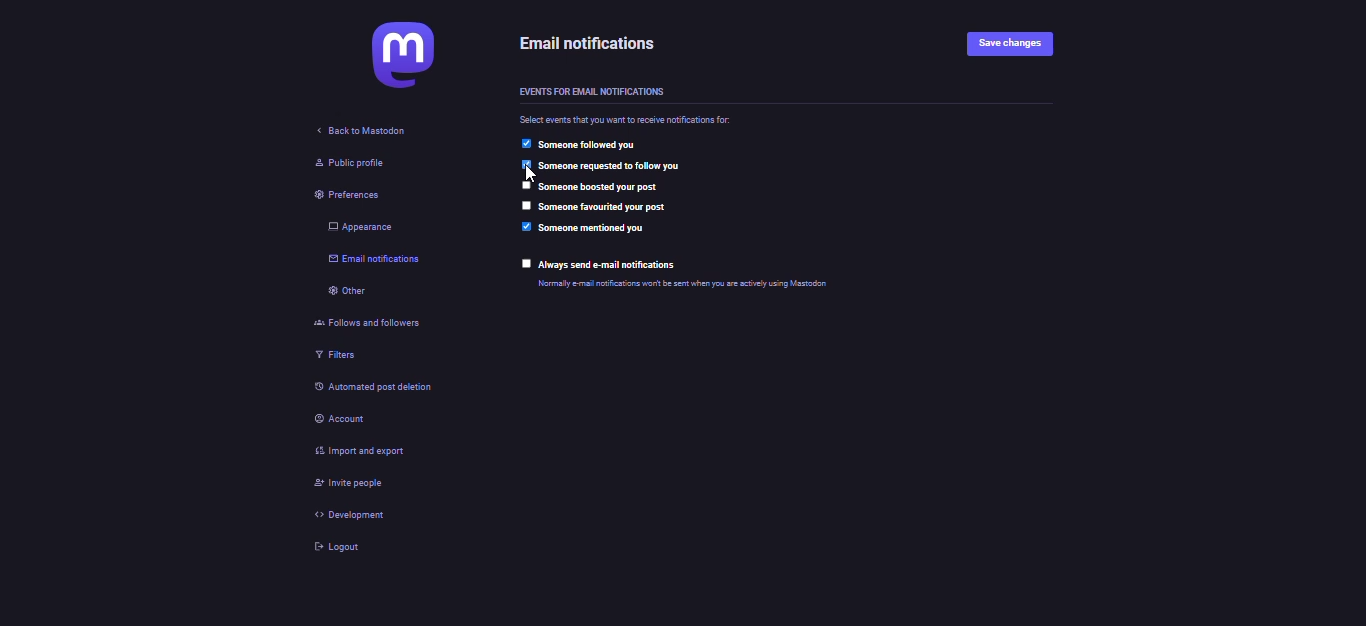 Image resolution: width=1366 pixels, height=626 pixels. Describe the element at coordinates (523, 165) in the screenshot. I see `enabled` at that location.